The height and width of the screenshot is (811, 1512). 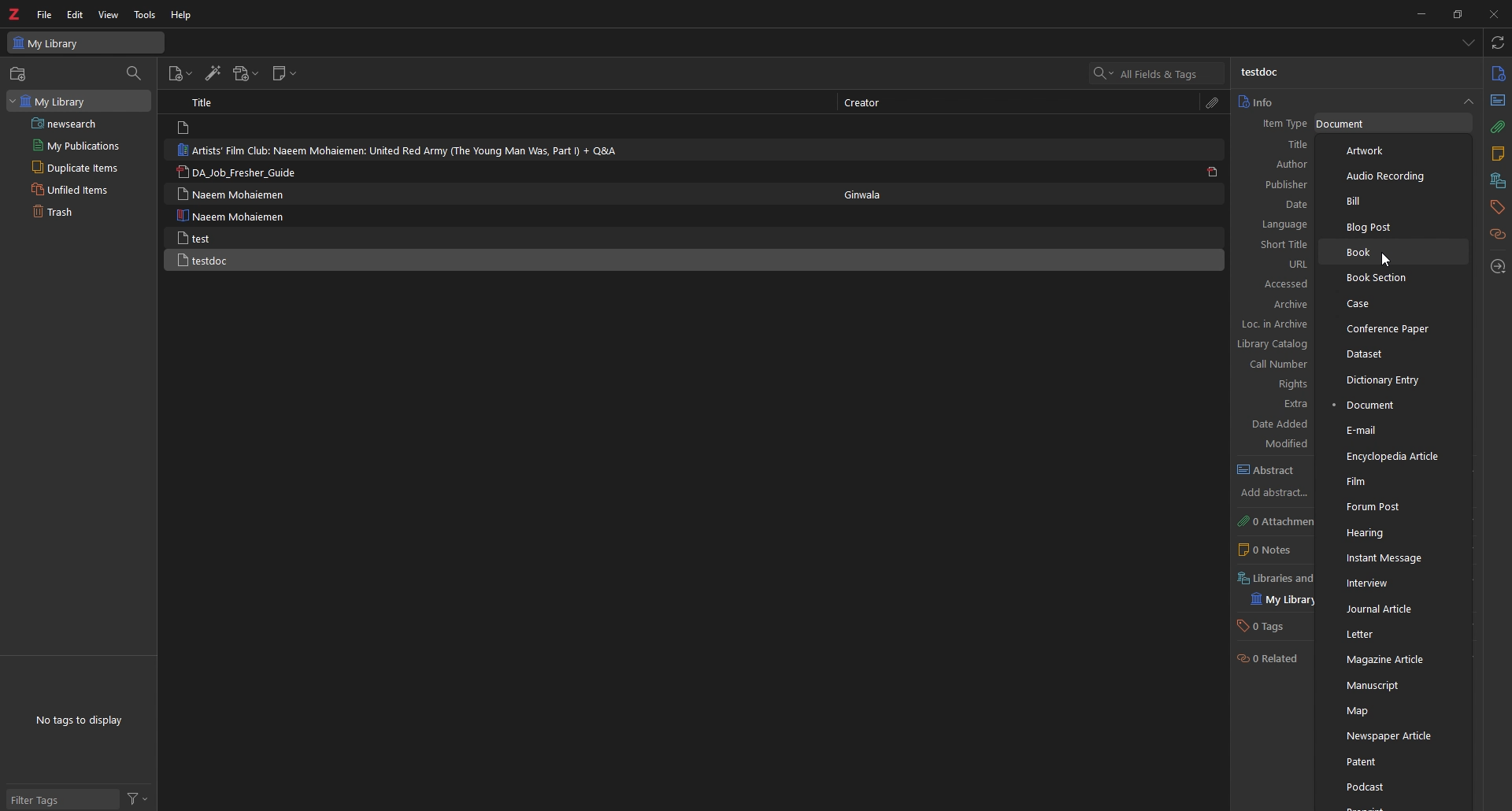 What do you see at coordinates (1469, 43) in the screenshot?
I see `list all items` at bounding box center [1469, 43].